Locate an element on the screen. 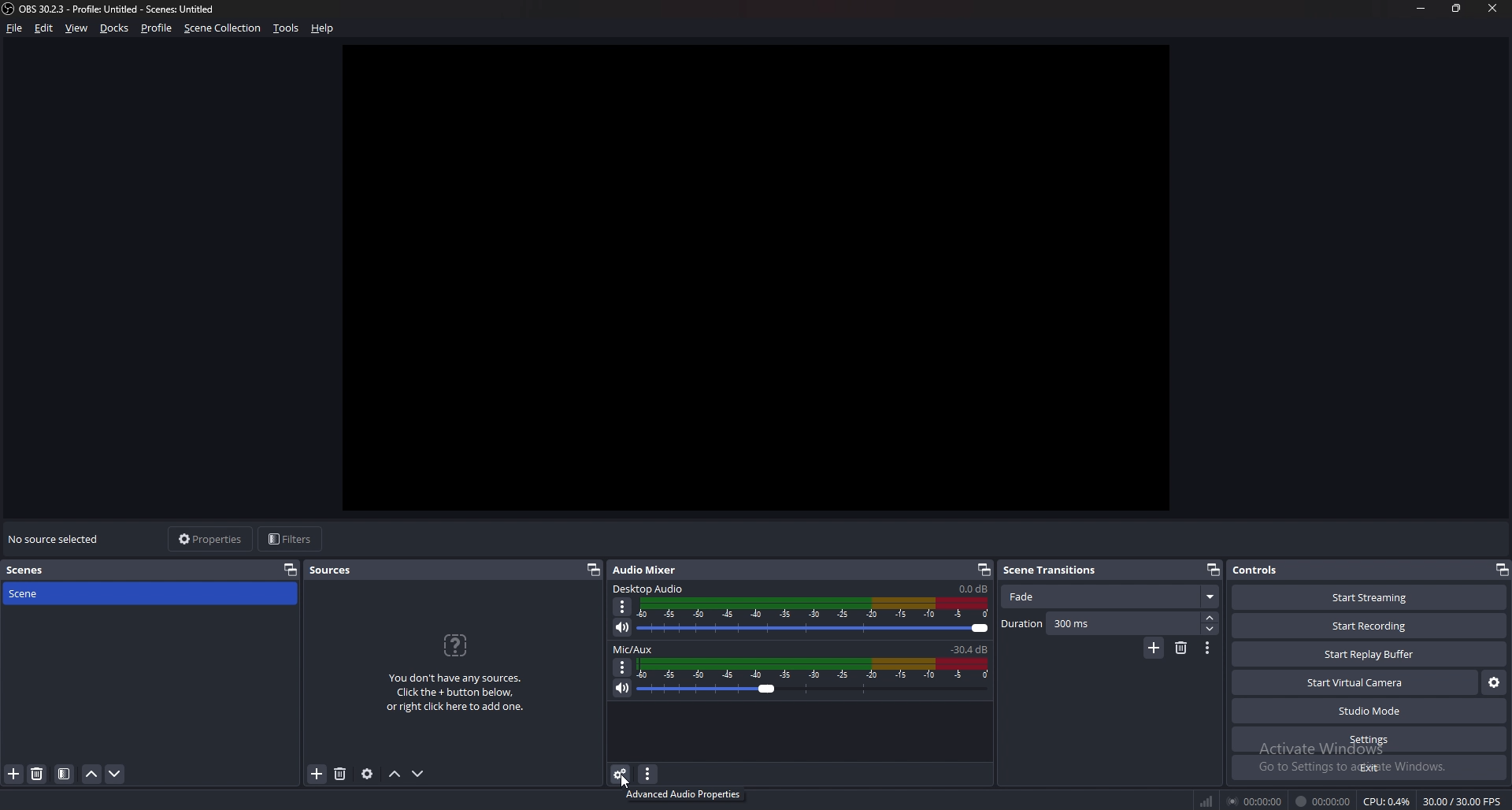 Image resolution: width=1512 pixels, height=810 pixels. sources is located at coordinates (340, 568).